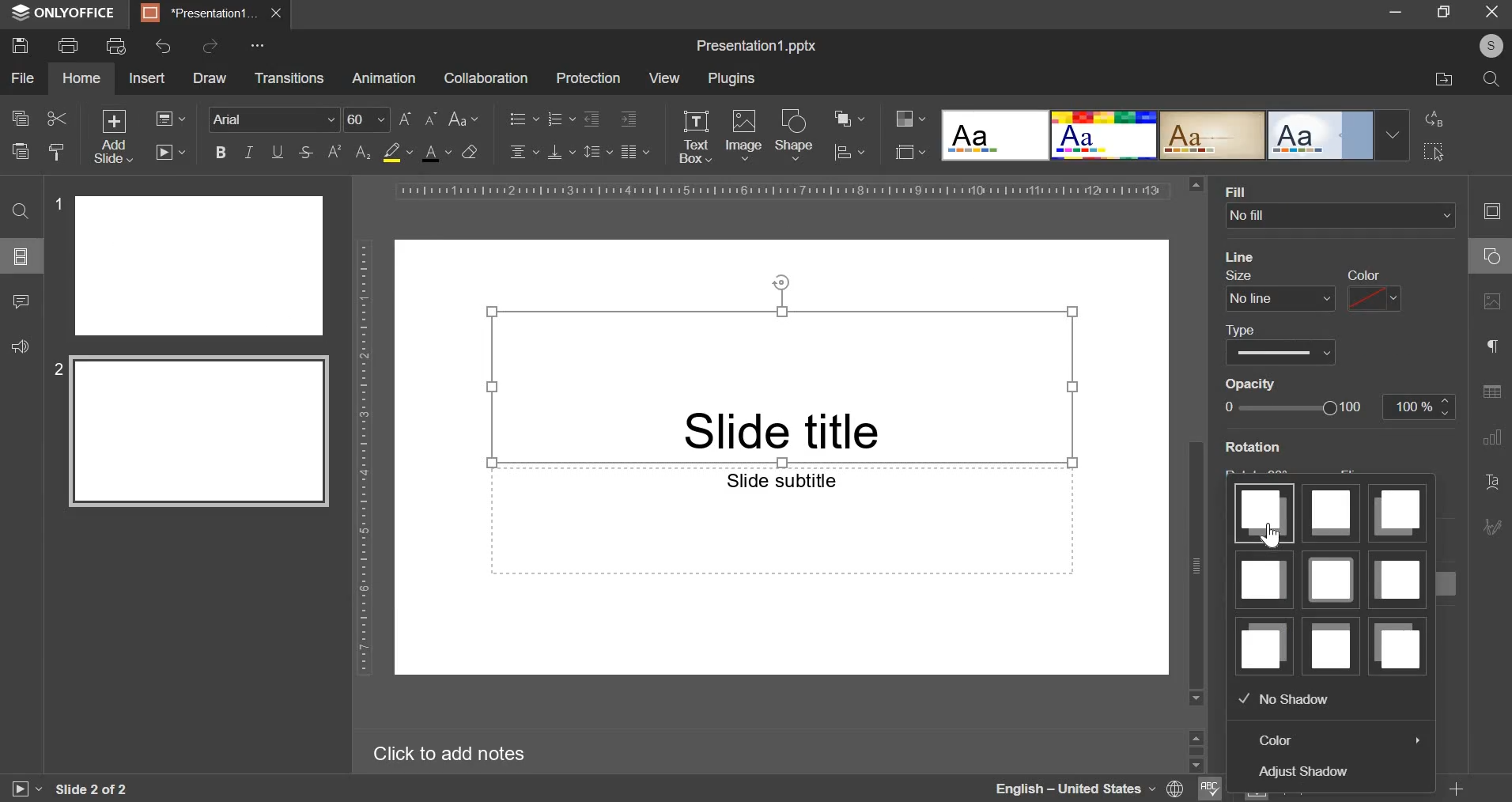 The width and height of the screenshot is (1512, 802). What do you see at coordinates (1495, 302) in the screenshot?
I see `image settings` at bounding box center [1495, 302].